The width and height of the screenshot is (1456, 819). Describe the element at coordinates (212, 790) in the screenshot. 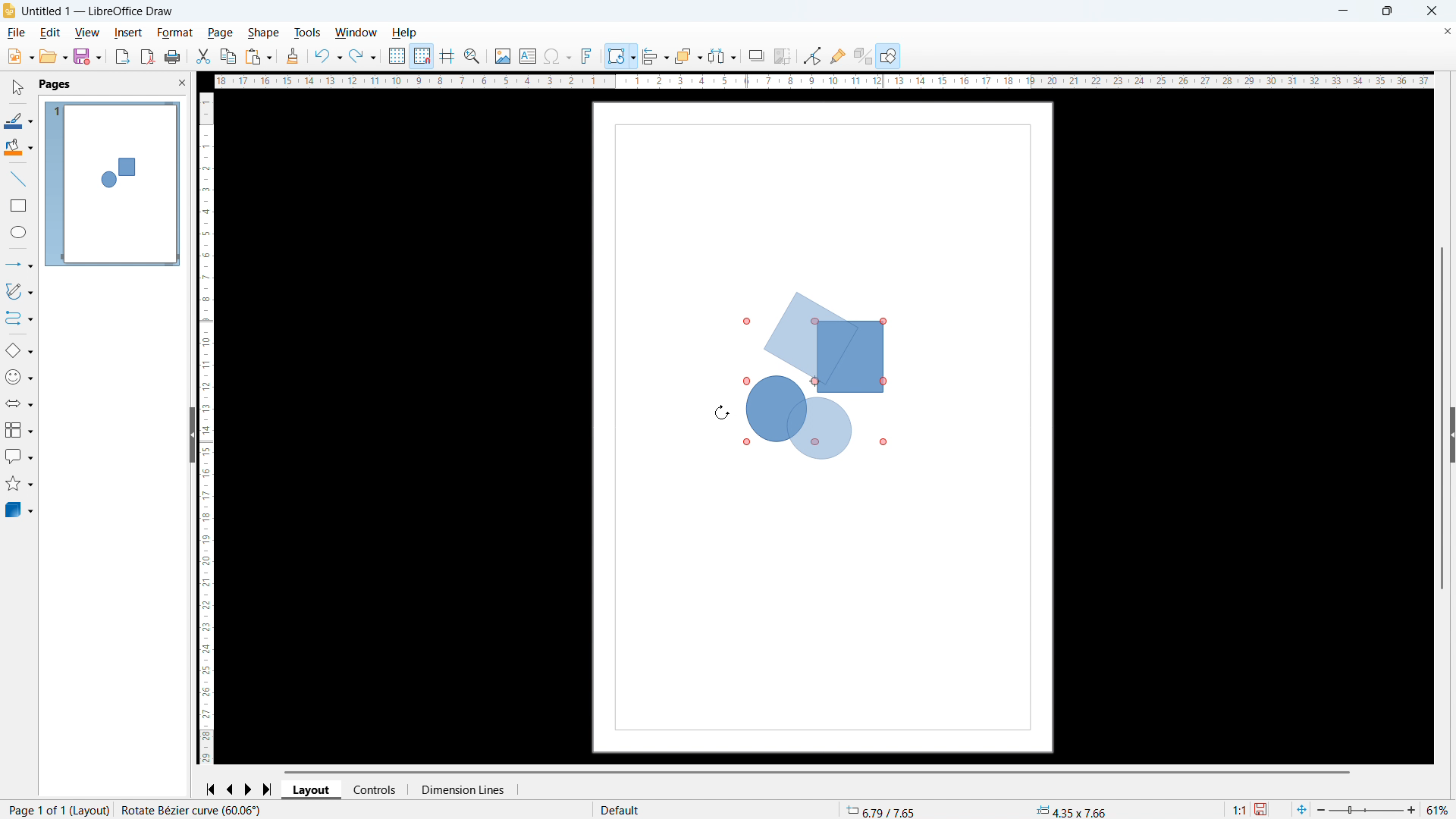

I see ` Go to first page ` at that location.